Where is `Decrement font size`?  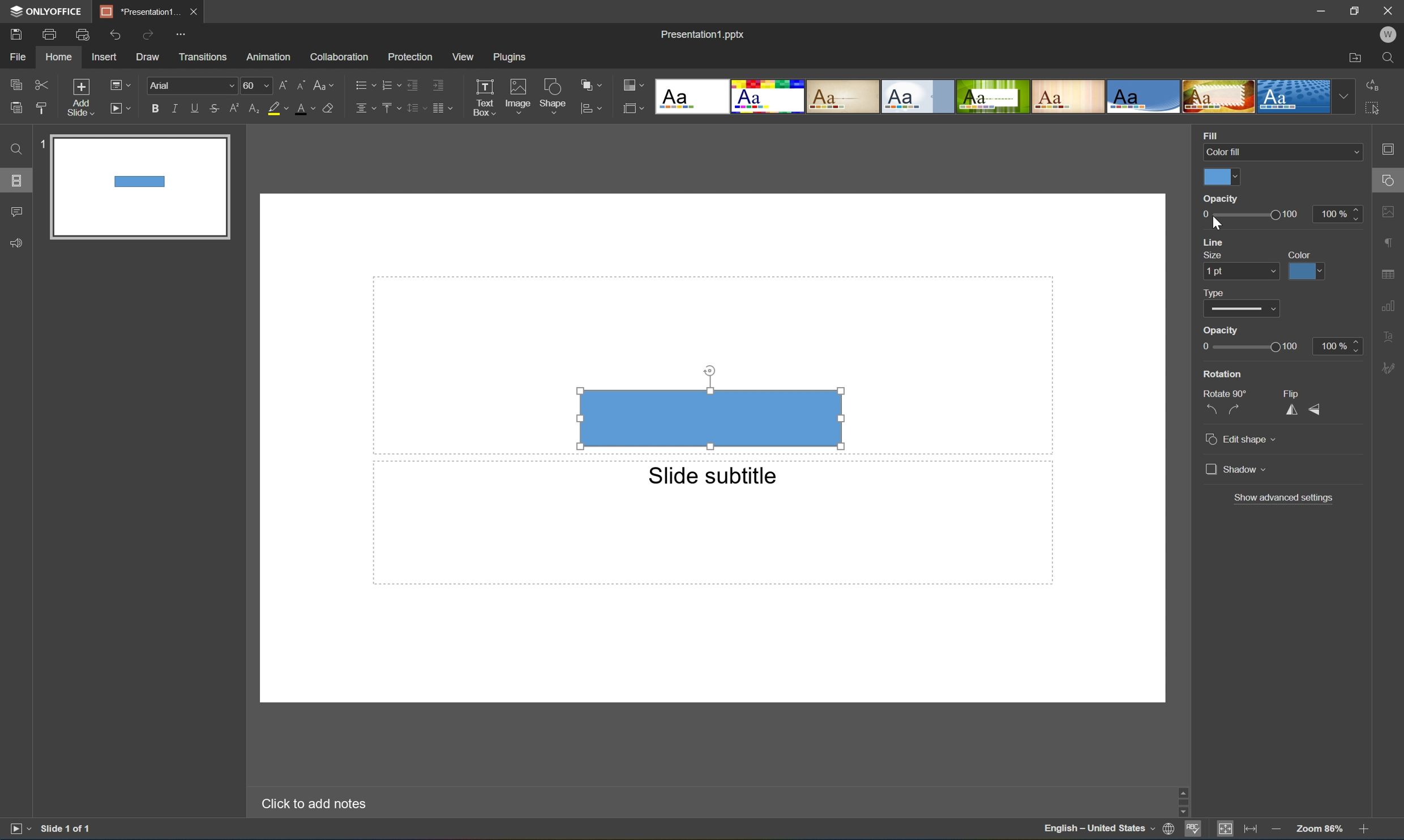 Decrement font size is located at coordinates (301, 84).